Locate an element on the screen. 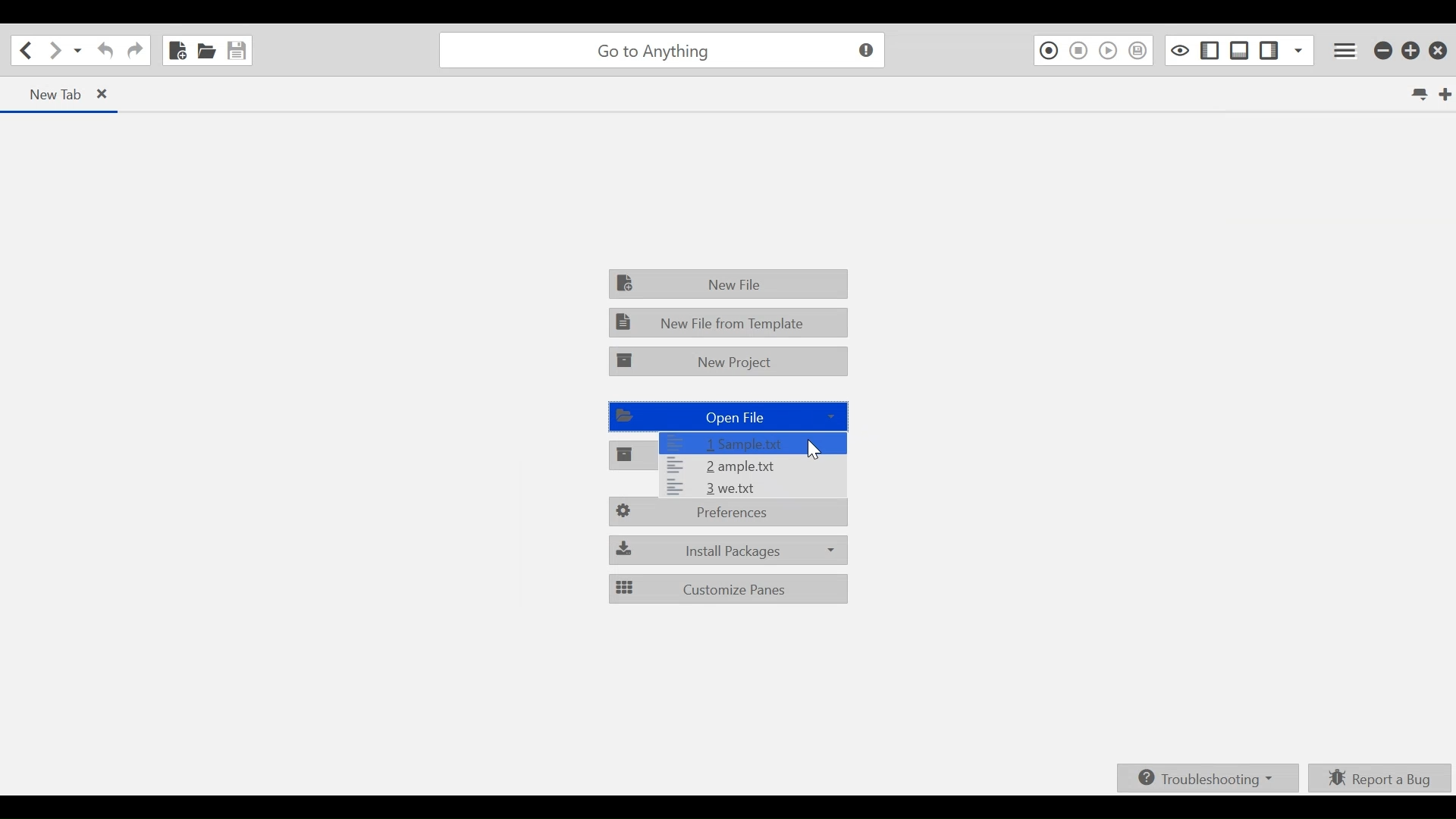 The height and width of the screenshot is (819, 1456). Open File is located at coordinates (206, 49).